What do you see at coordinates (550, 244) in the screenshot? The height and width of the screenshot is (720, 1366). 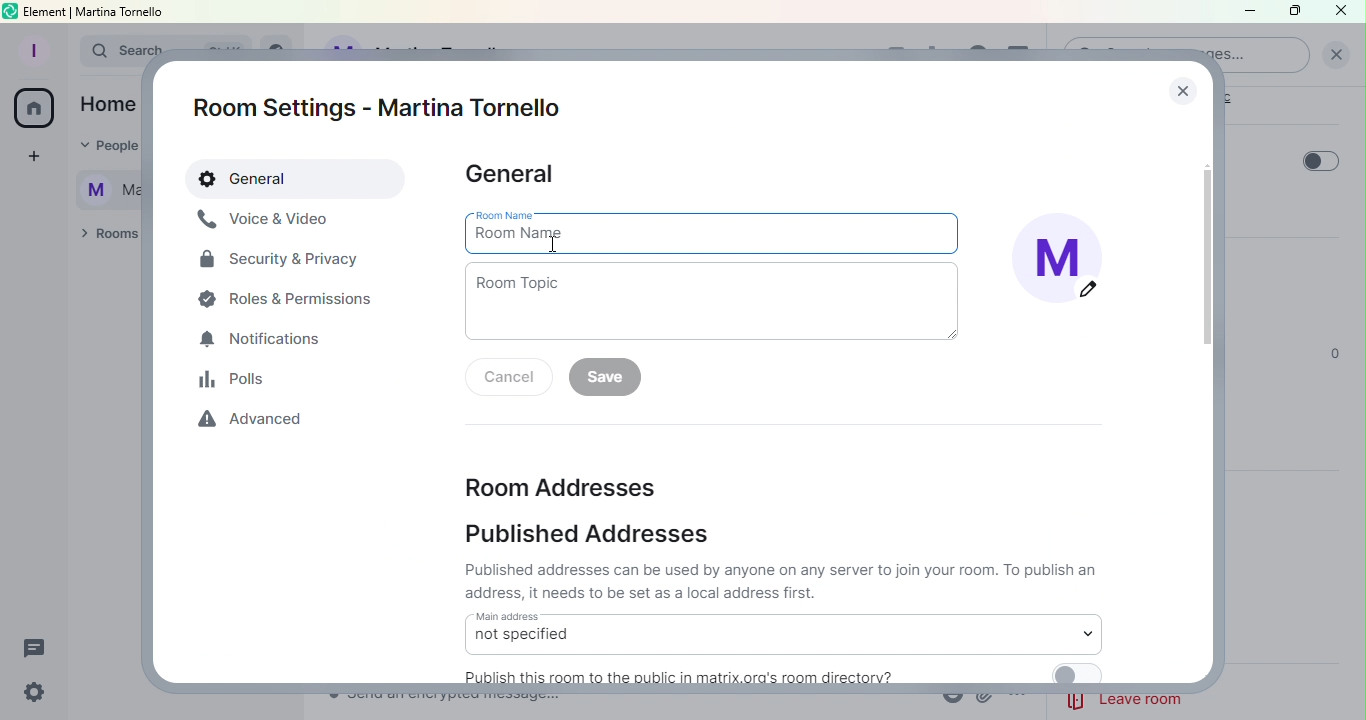 I see `cursor` at bounding box center [550, 244].